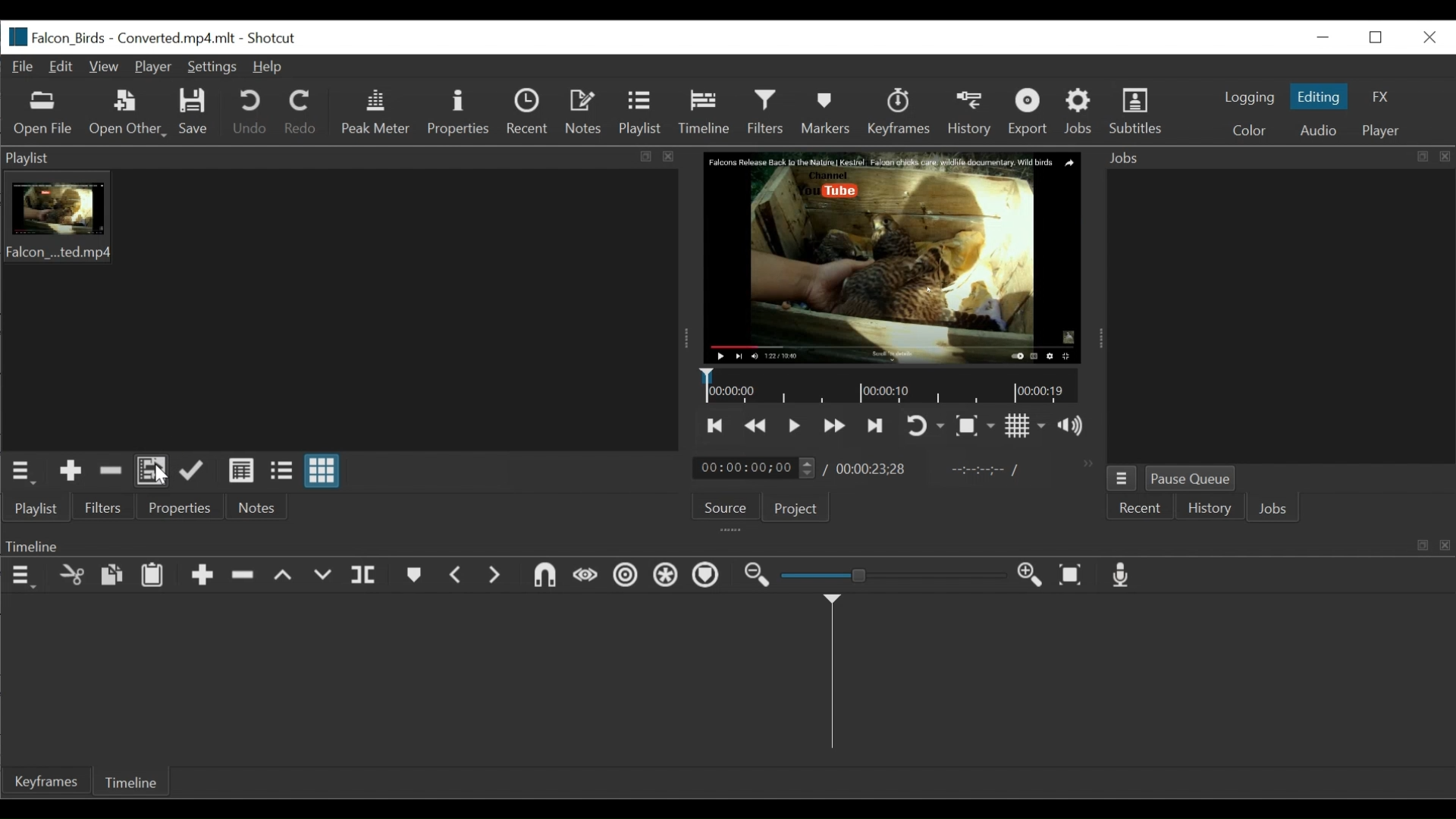  I want to click on Jobs, so click(1080, 111).